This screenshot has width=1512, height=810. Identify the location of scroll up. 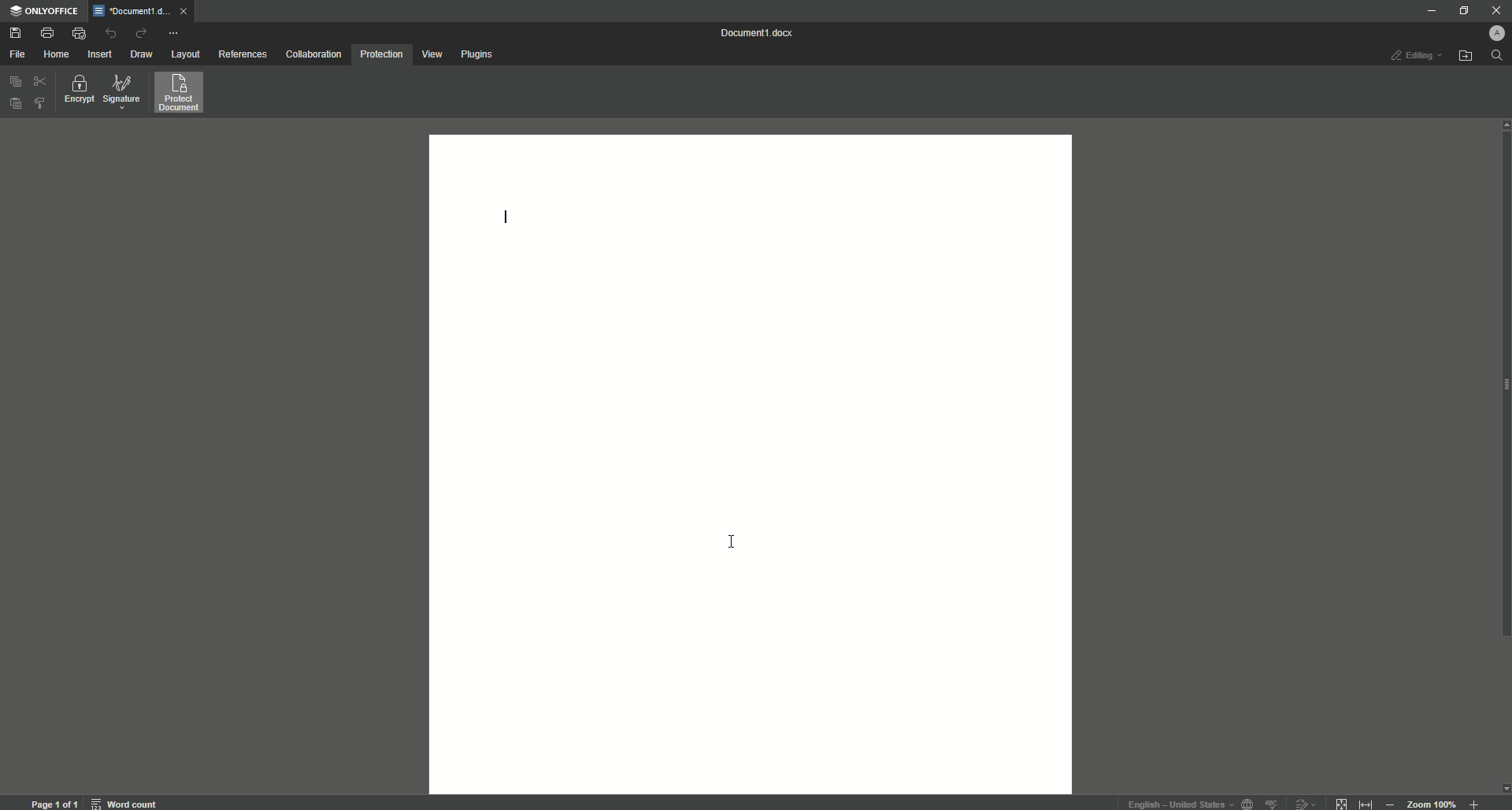
(1503, 124).